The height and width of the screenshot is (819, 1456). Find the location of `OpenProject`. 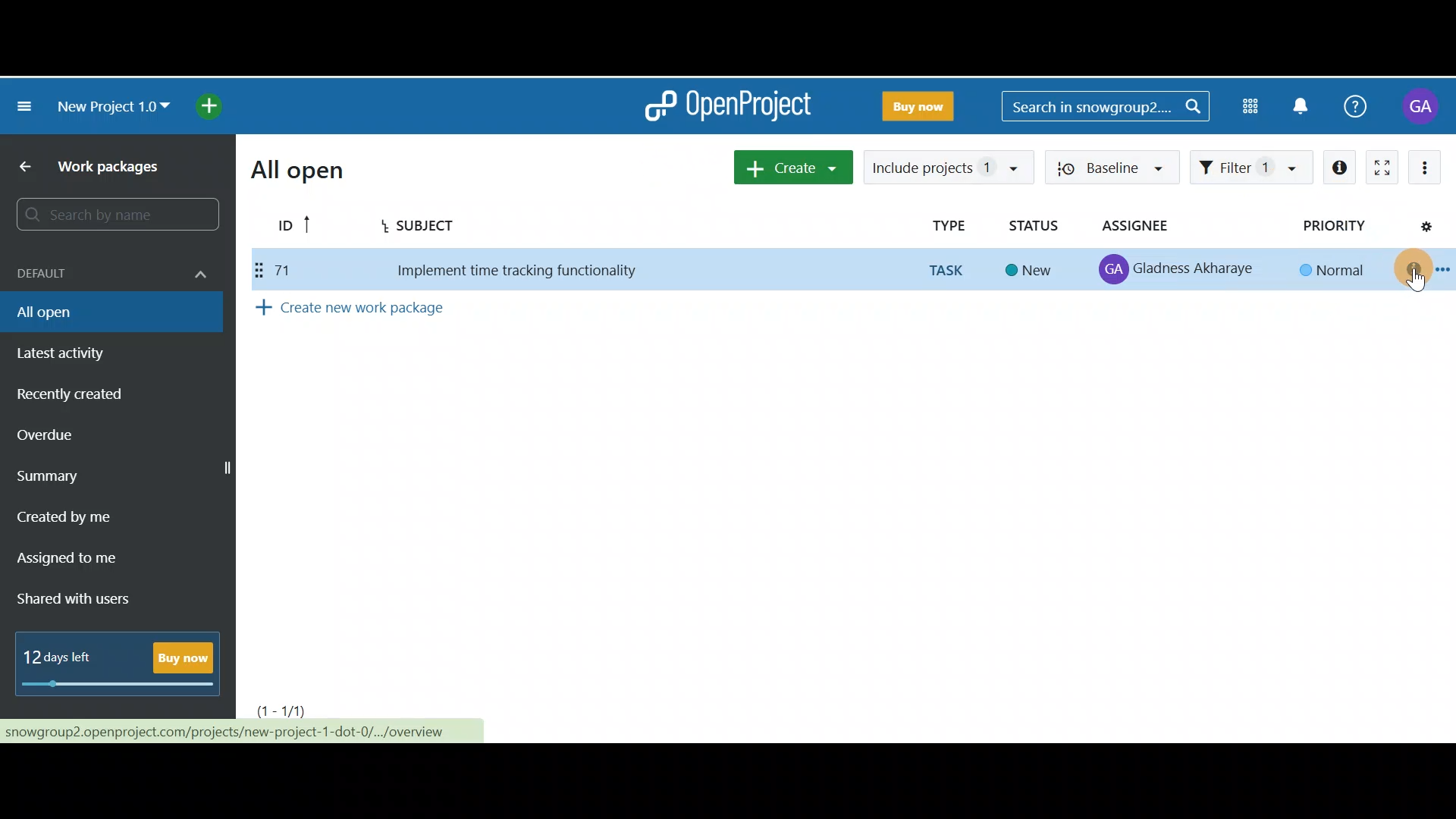

OpenProject is located at coordinates (726, 106).